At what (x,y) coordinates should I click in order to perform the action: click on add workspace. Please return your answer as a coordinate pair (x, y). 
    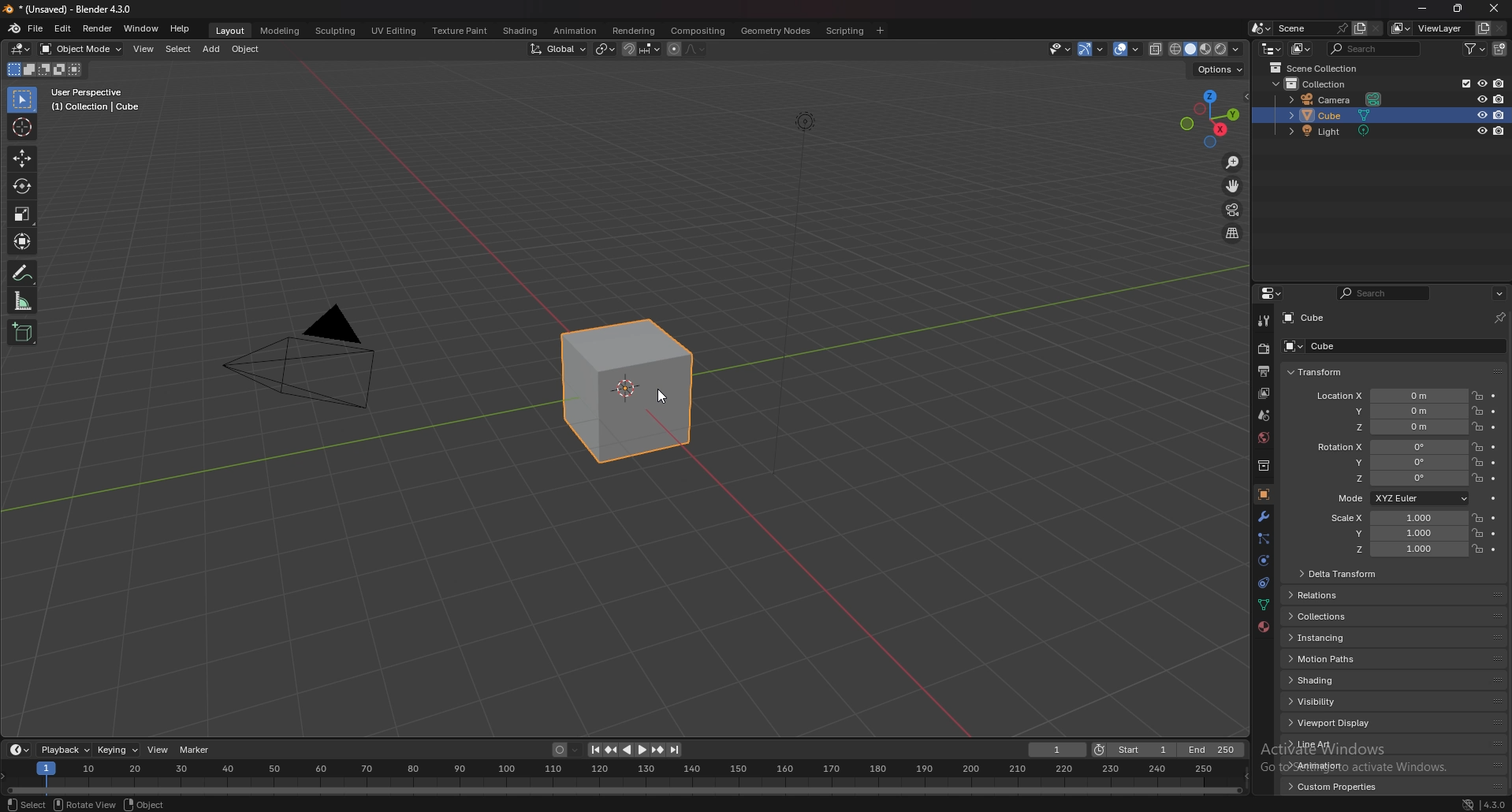
    Looking at the image, I should click on (879, 31).